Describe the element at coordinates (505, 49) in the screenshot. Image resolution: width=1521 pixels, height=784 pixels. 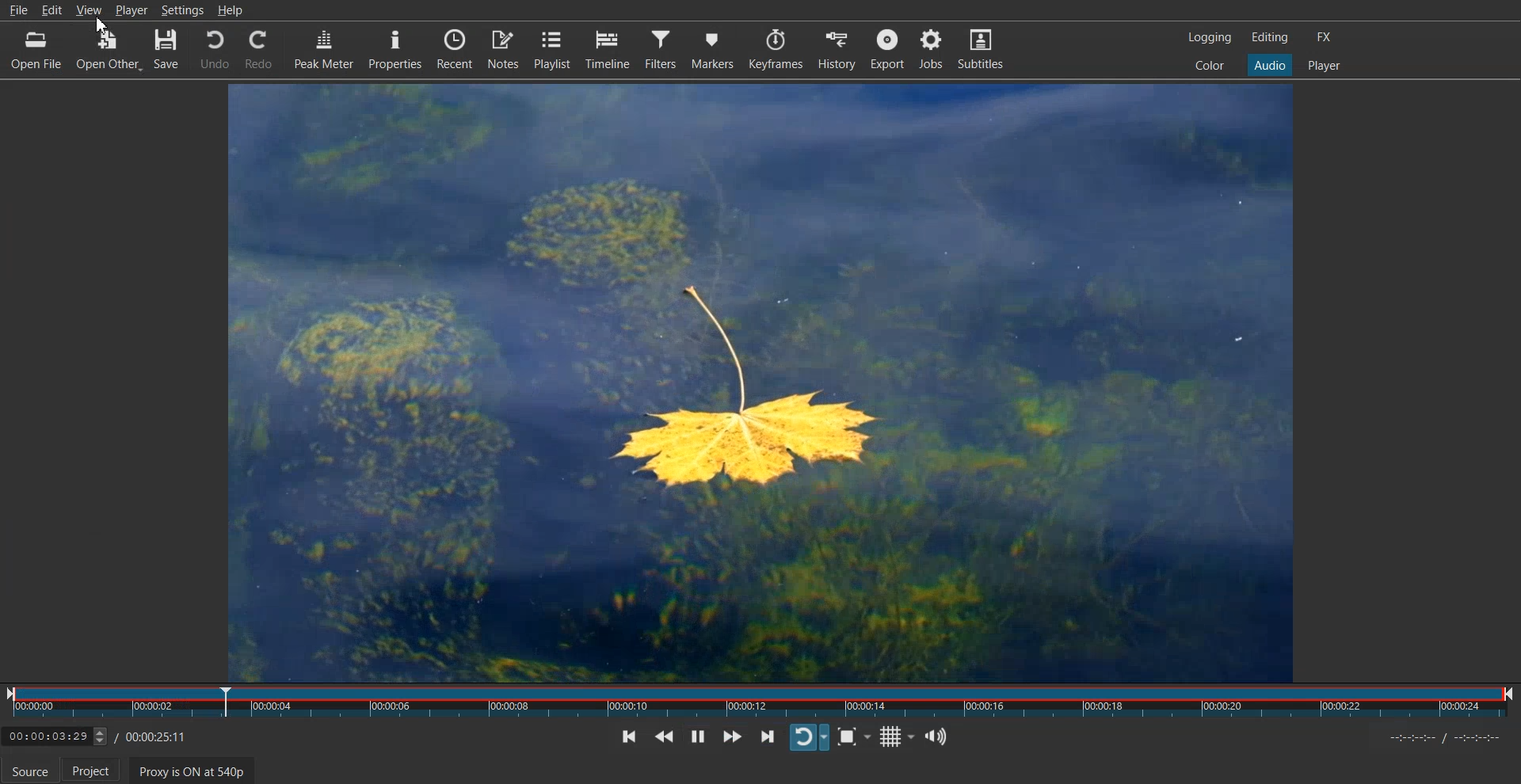
I see `Notes` at that location.